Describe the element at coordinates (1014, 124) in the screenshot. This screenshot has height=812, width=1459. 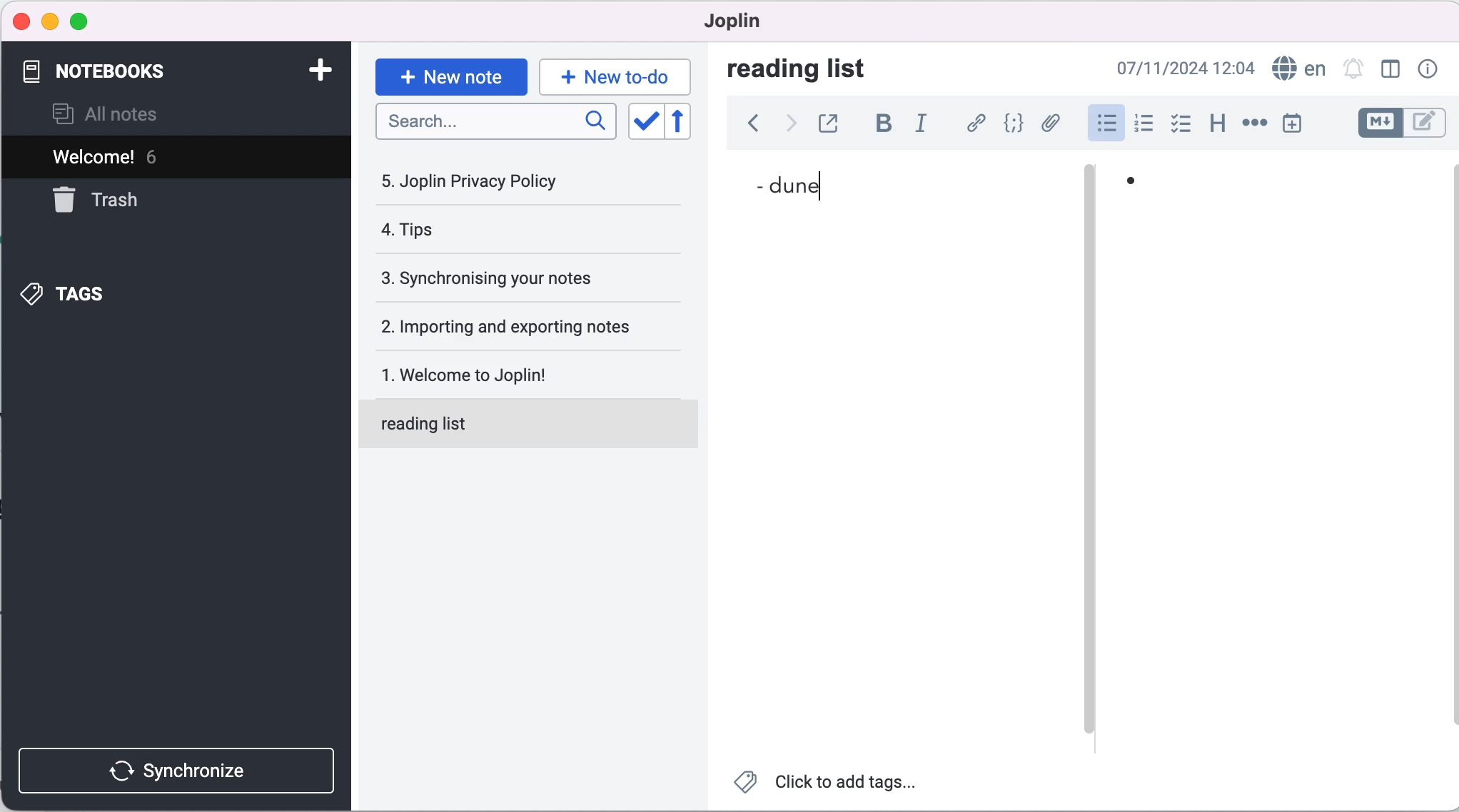
I see `code` at that location.